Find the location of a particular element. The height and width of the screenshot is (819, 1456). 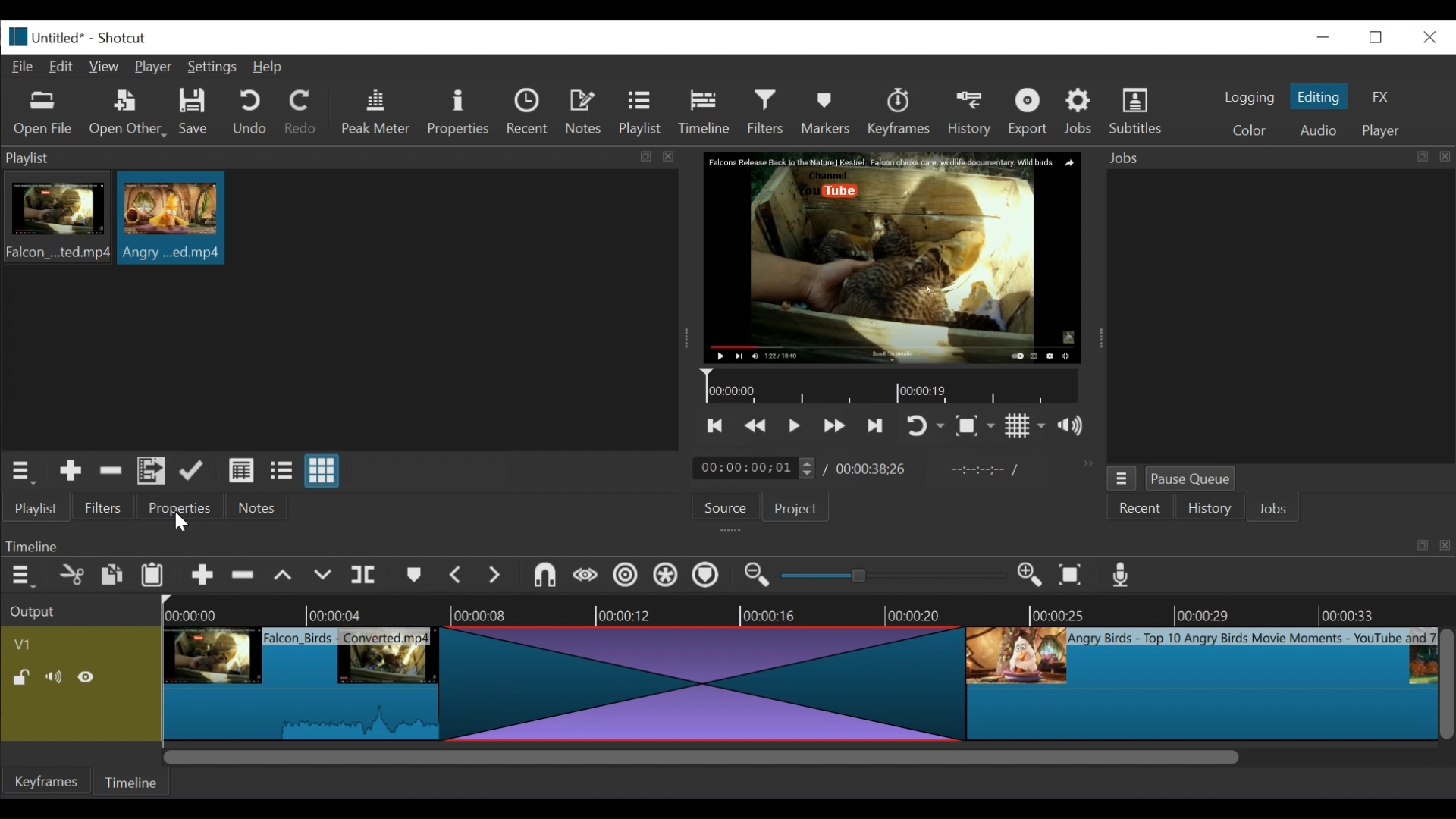

next marker is located at coordinates (497, 576).